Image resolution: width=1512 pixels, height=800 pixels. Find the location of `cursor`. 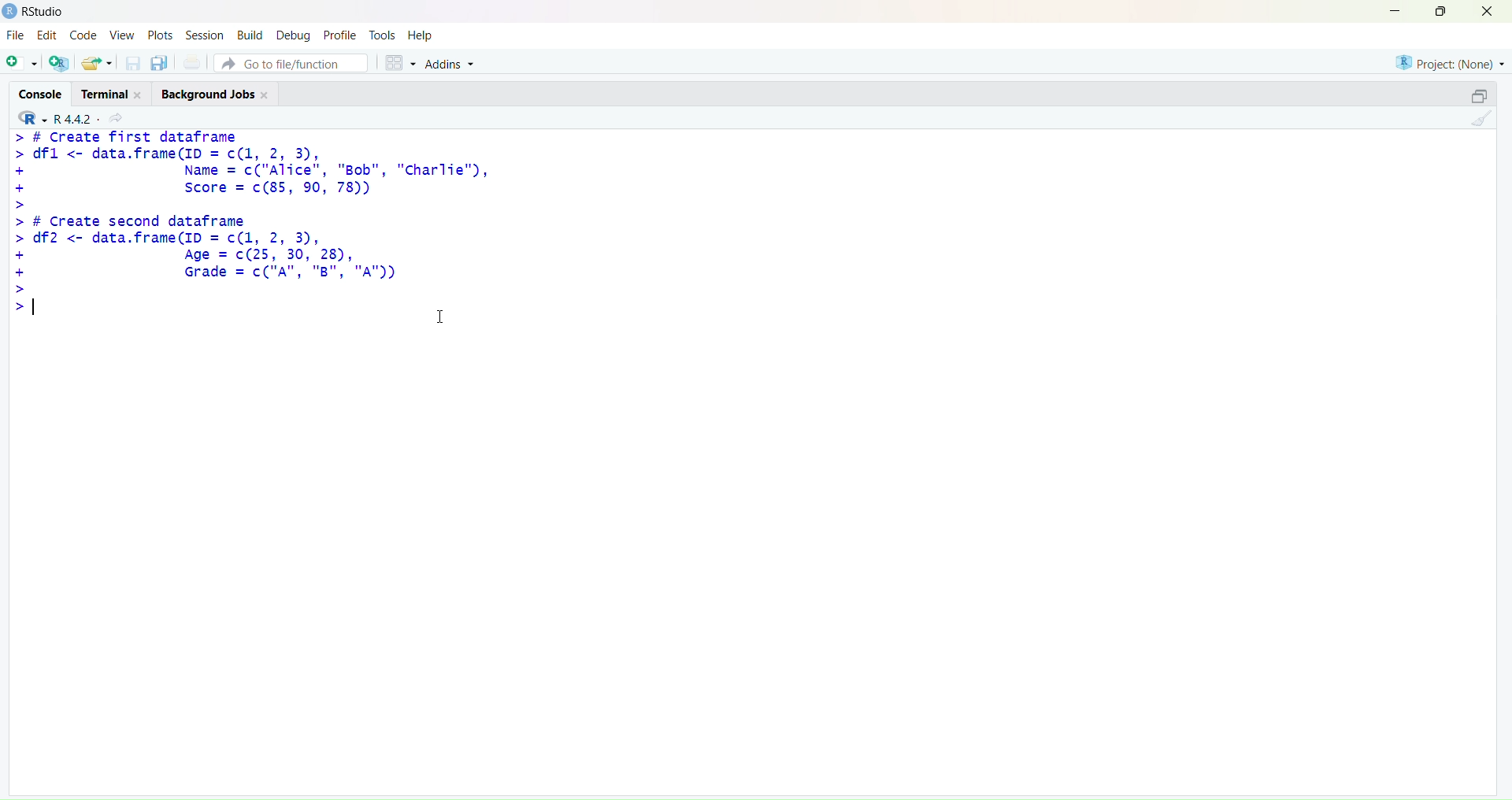

cursor is located at coordinates (441, 317).